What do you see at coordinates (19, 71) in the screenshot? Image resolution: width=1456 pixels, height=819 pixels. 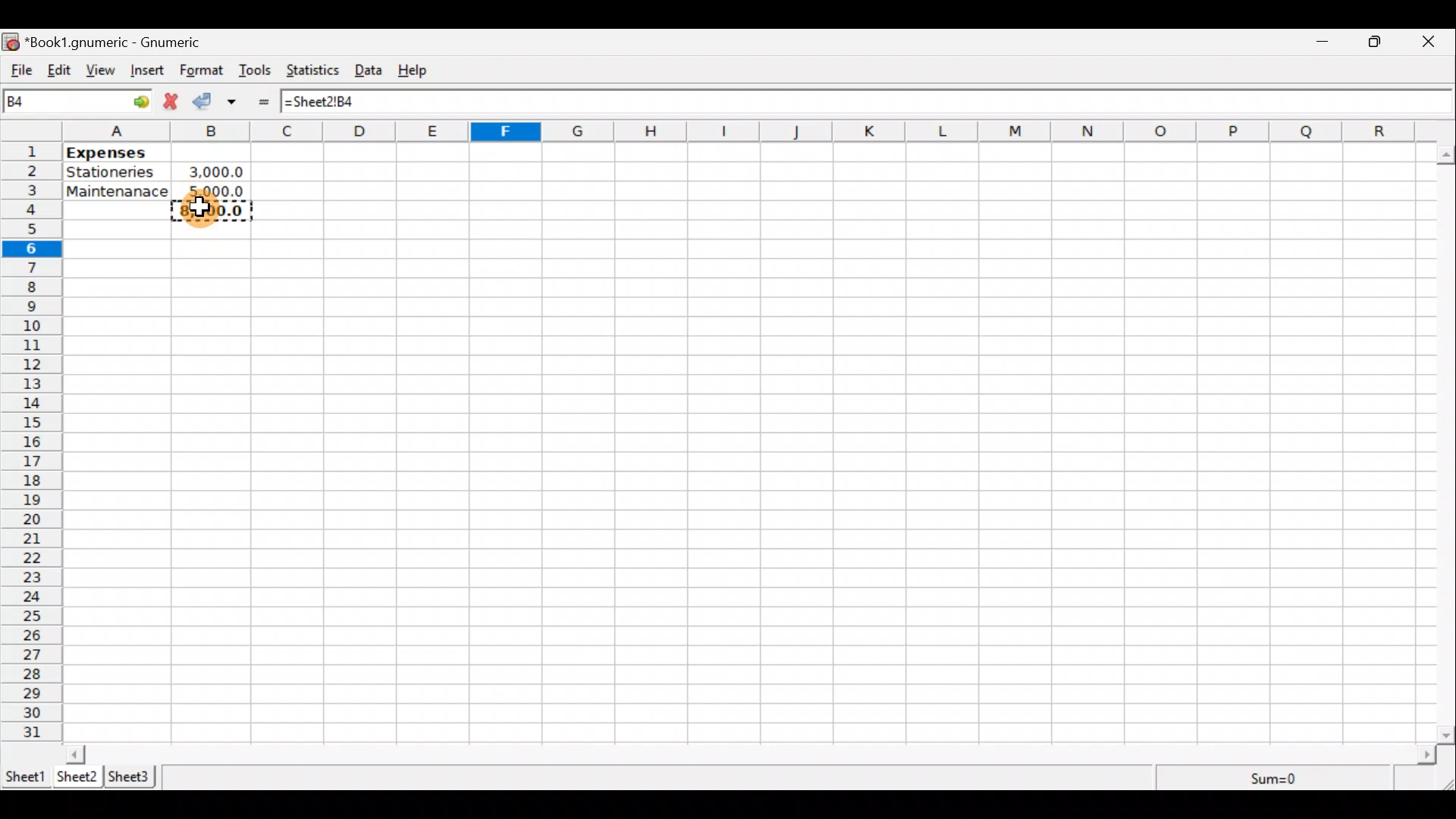 I see `File` at bounding box center [19, 71].